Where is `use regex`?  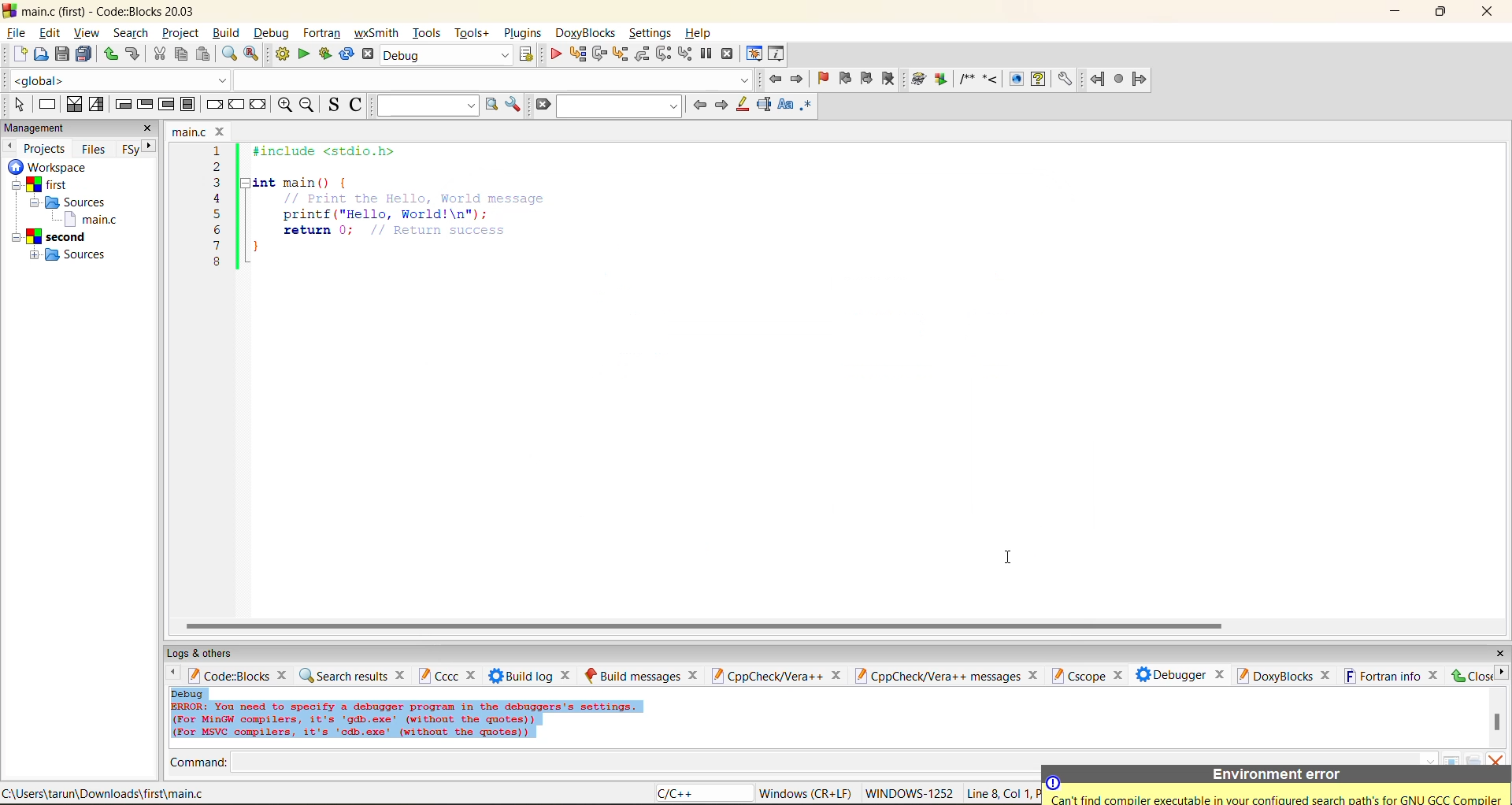
use regex is located at coordinates (806, 108).